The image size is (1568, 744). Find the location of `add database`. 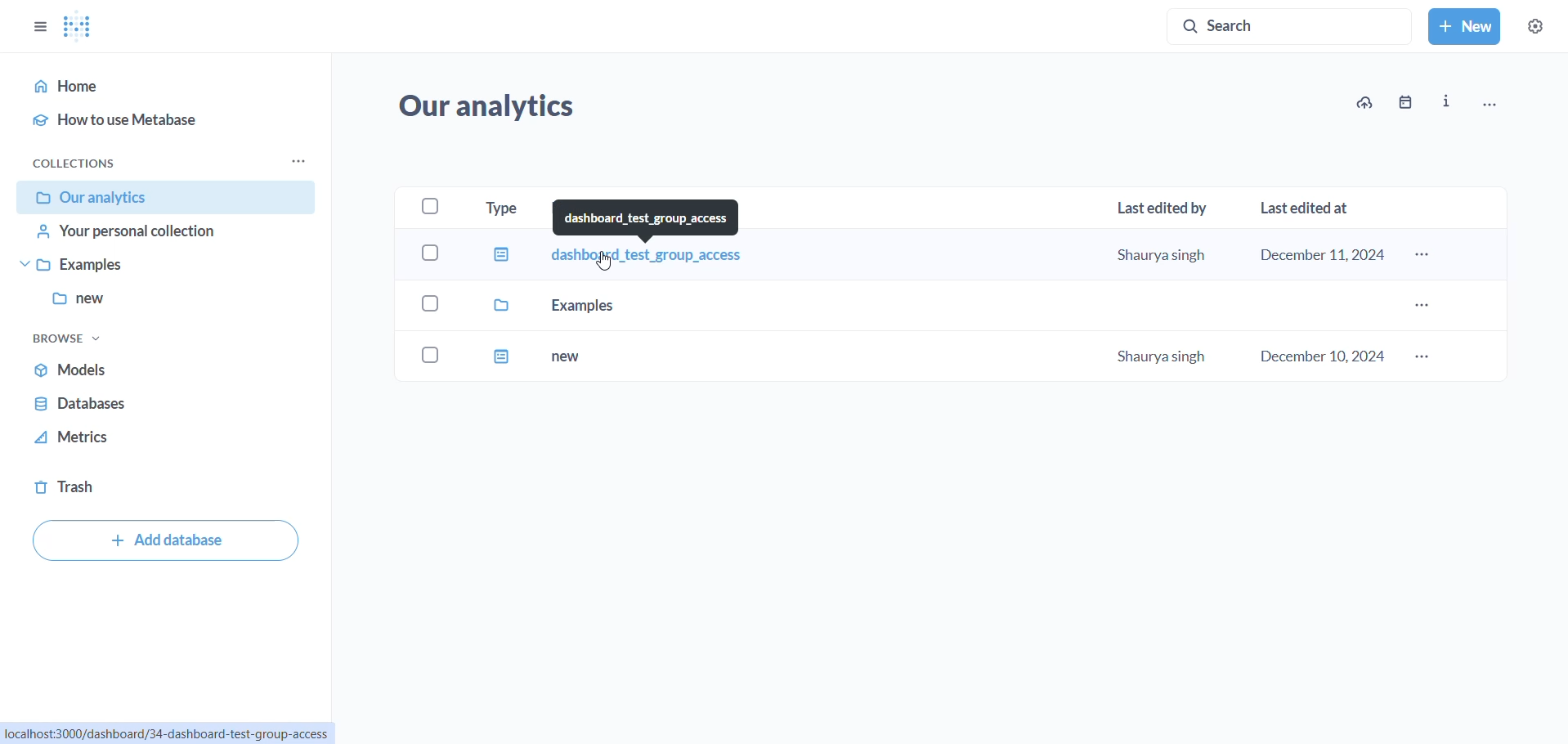

add database is located at coordinates (165, 542).